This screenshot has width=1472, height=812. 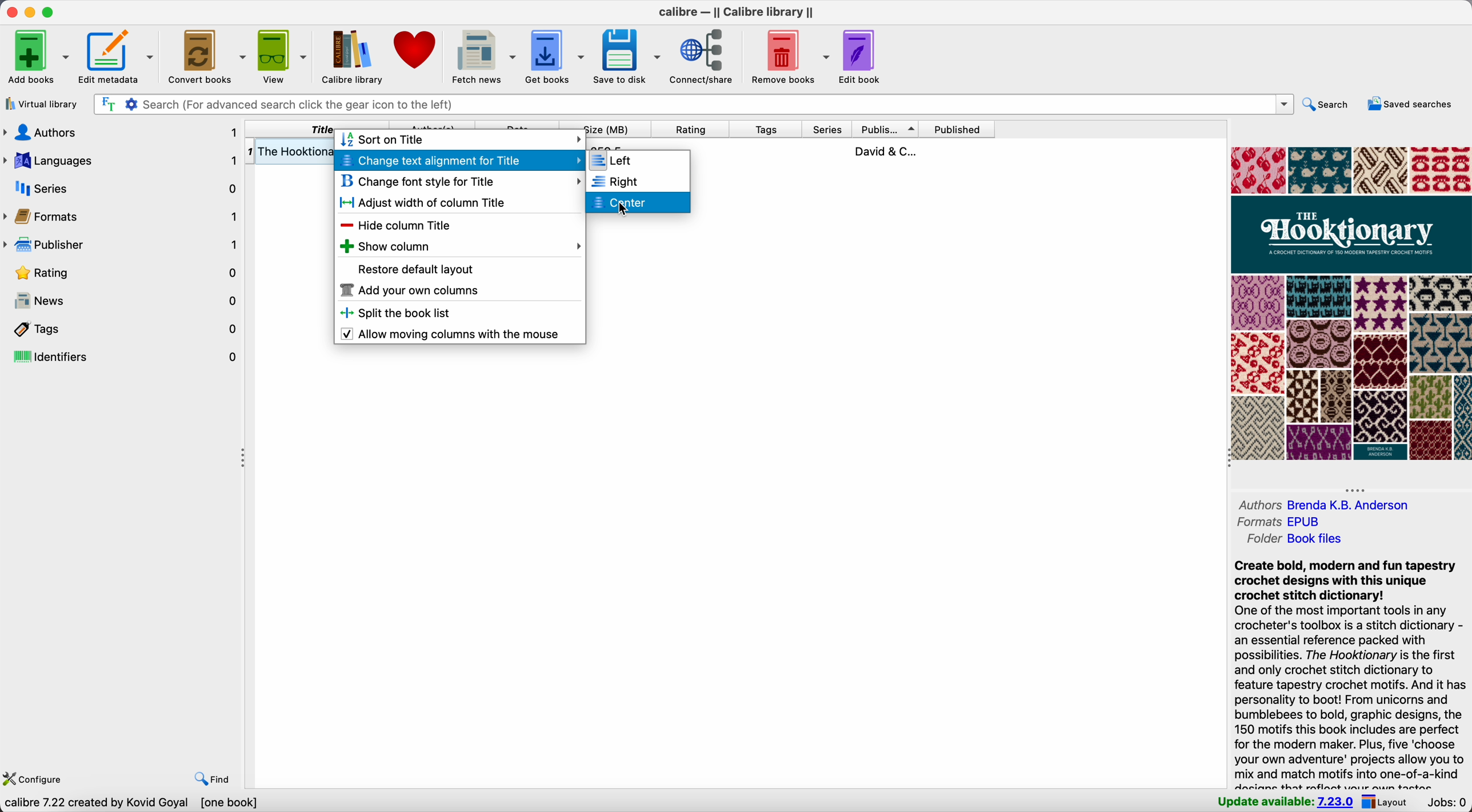 I want to click on series, so click(x=122, y=188).